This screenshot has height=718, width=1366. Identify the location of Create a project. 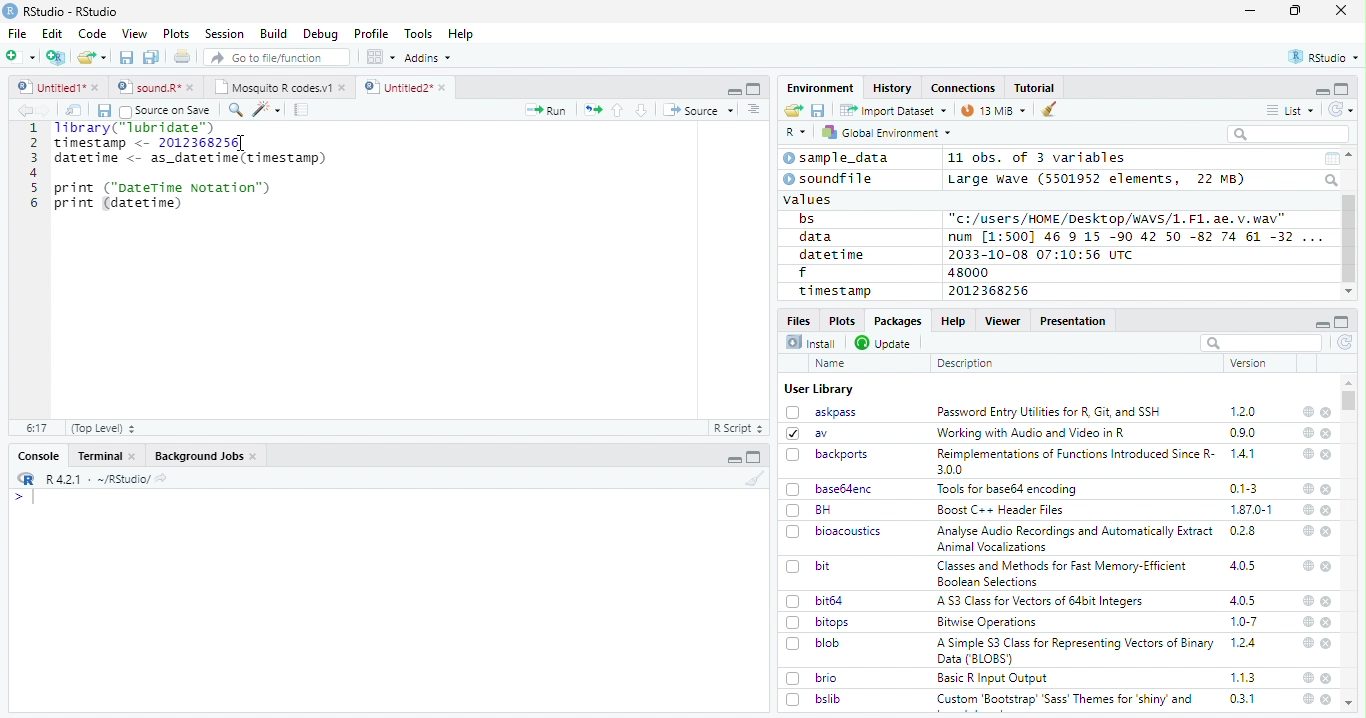
(56, 57).